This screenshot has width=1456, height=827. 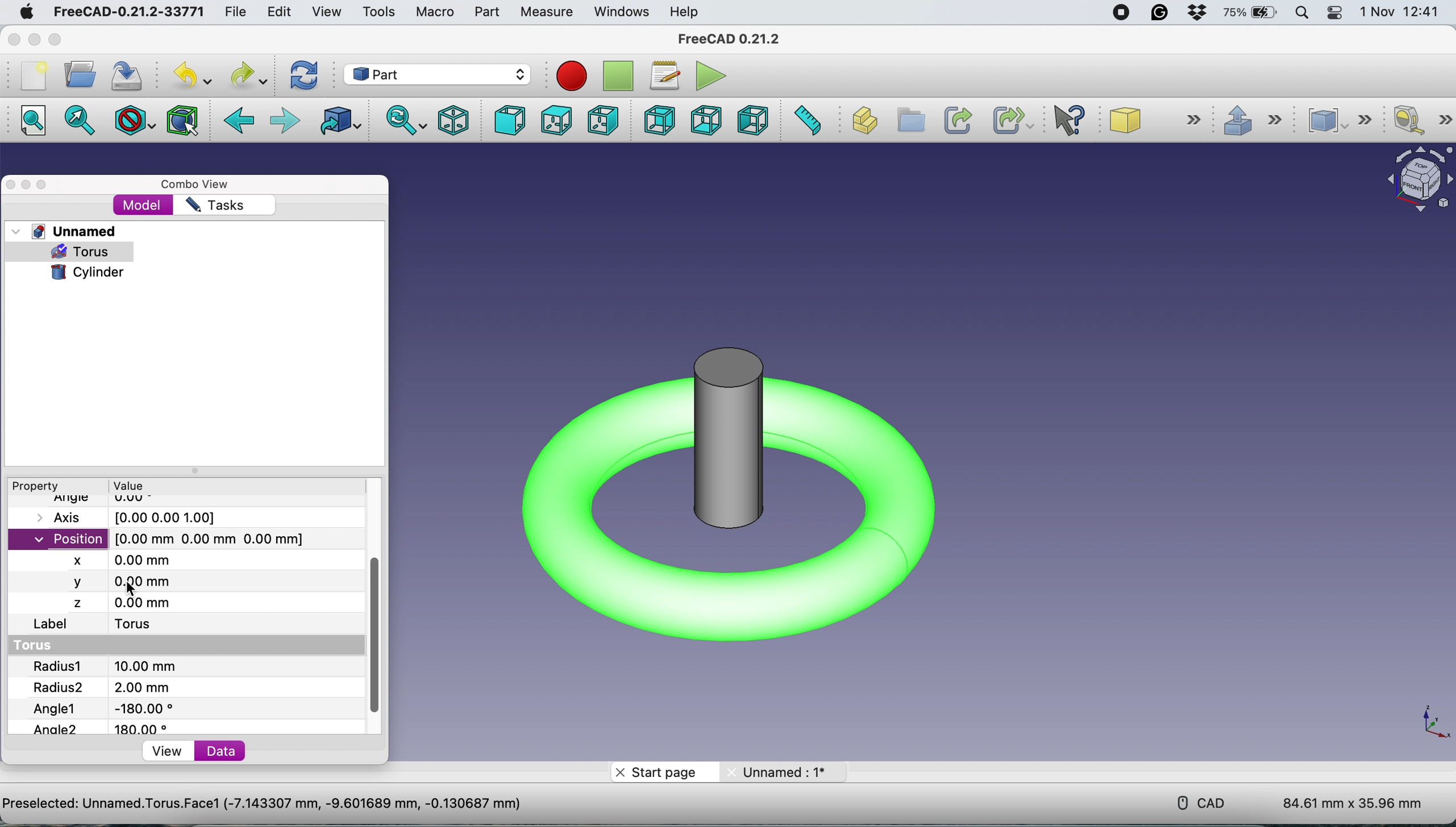 I want to click on close, so click(x=12, y=183).